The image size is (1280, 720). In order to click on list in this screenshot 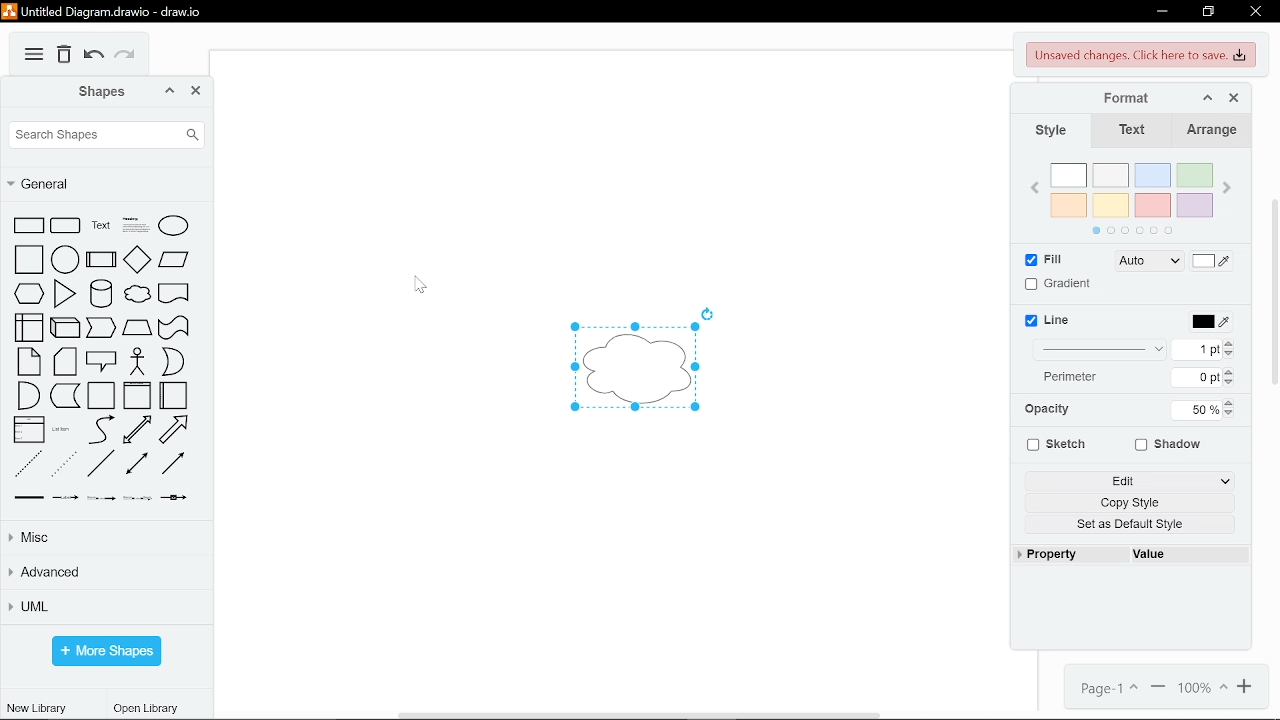, I will do `click(30, 430)`.